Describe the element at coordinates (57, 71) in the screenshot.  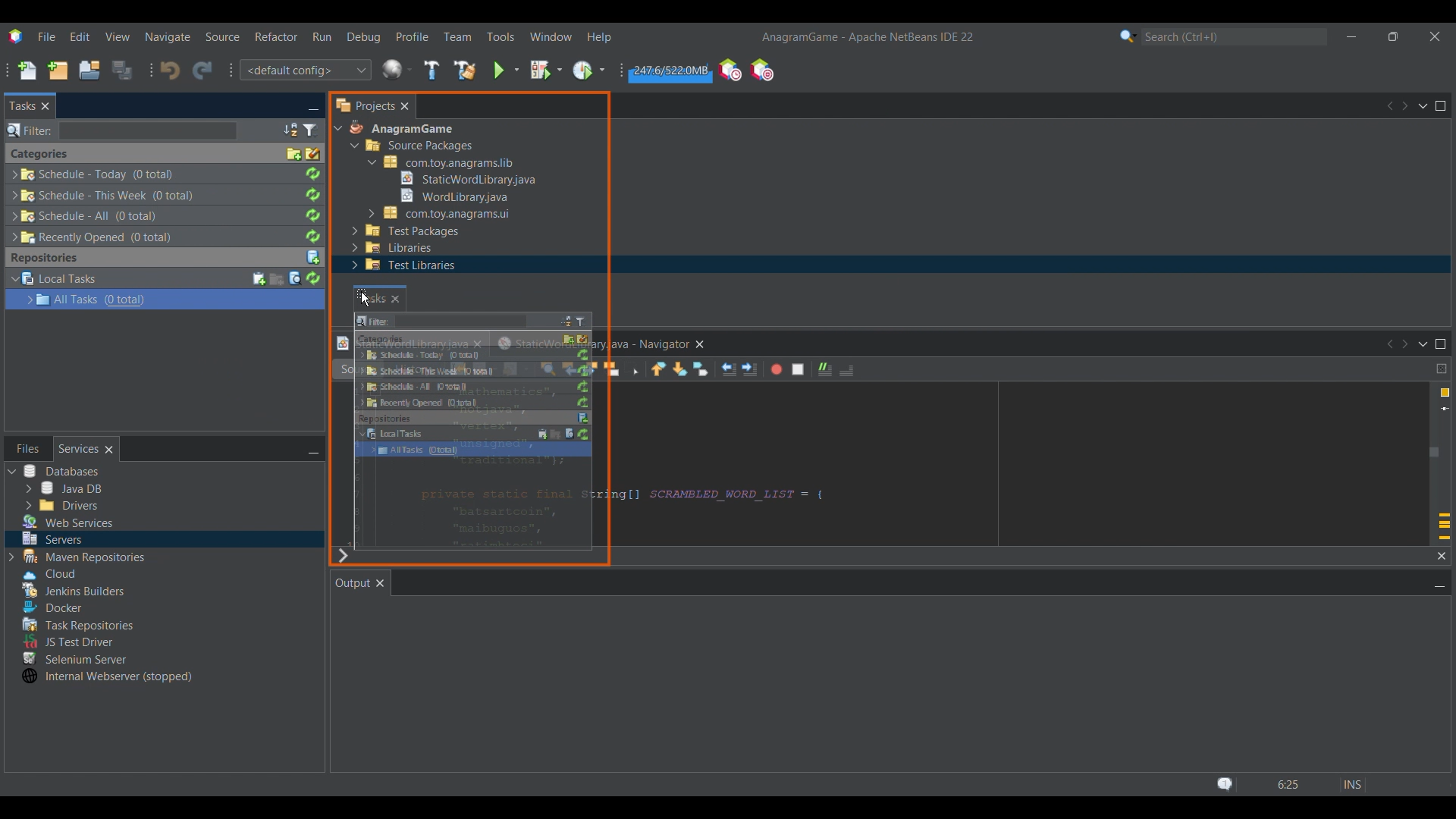
I see `New project` at that location.